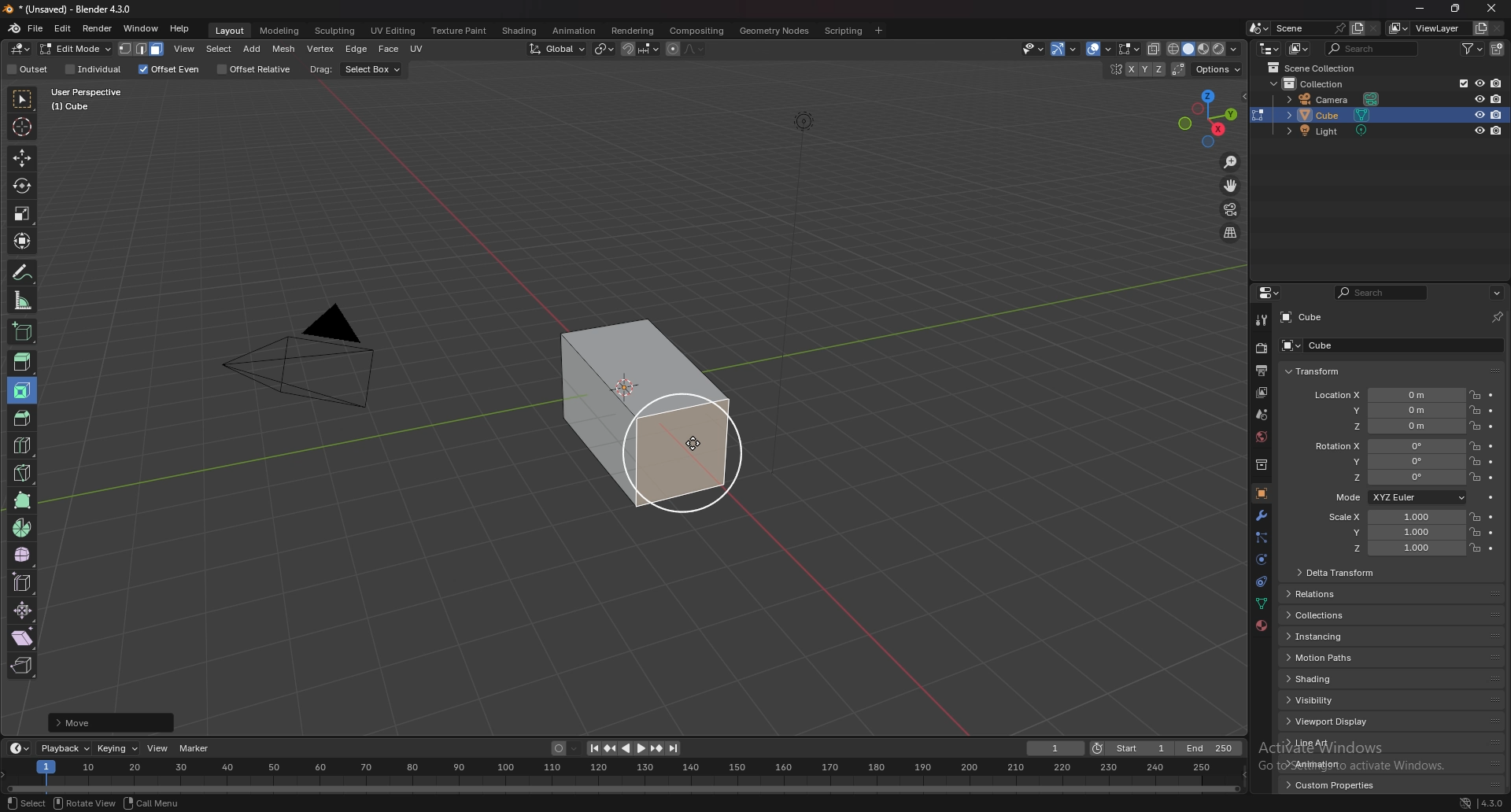 Image resolution: width=1511 pixels, height=812 pixels. Describe the element at coordinates (878, 31) in the screenshot. I see `add workspace` at that location.